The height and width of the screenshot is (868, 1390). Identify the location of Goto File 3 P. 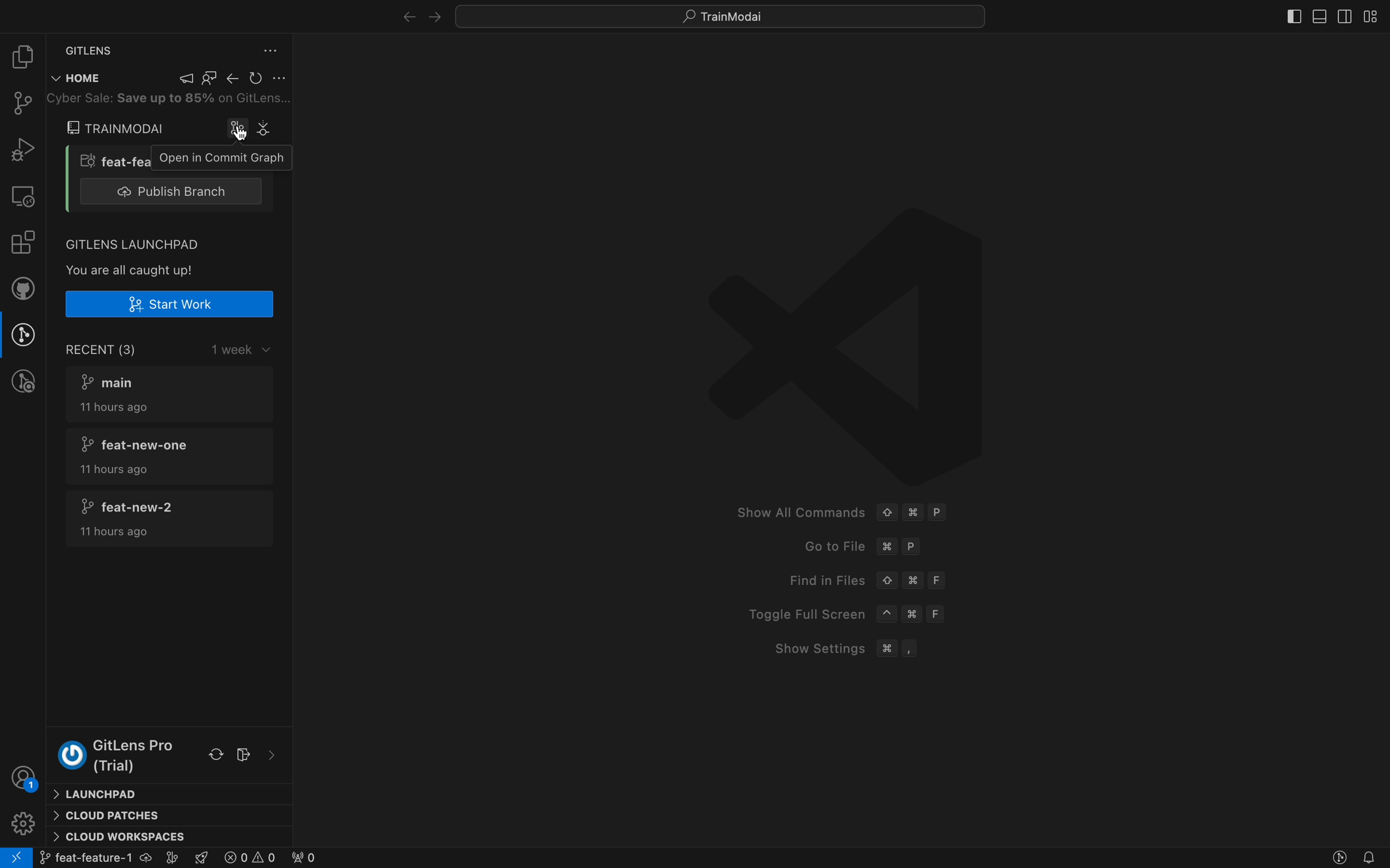
(860, 544).